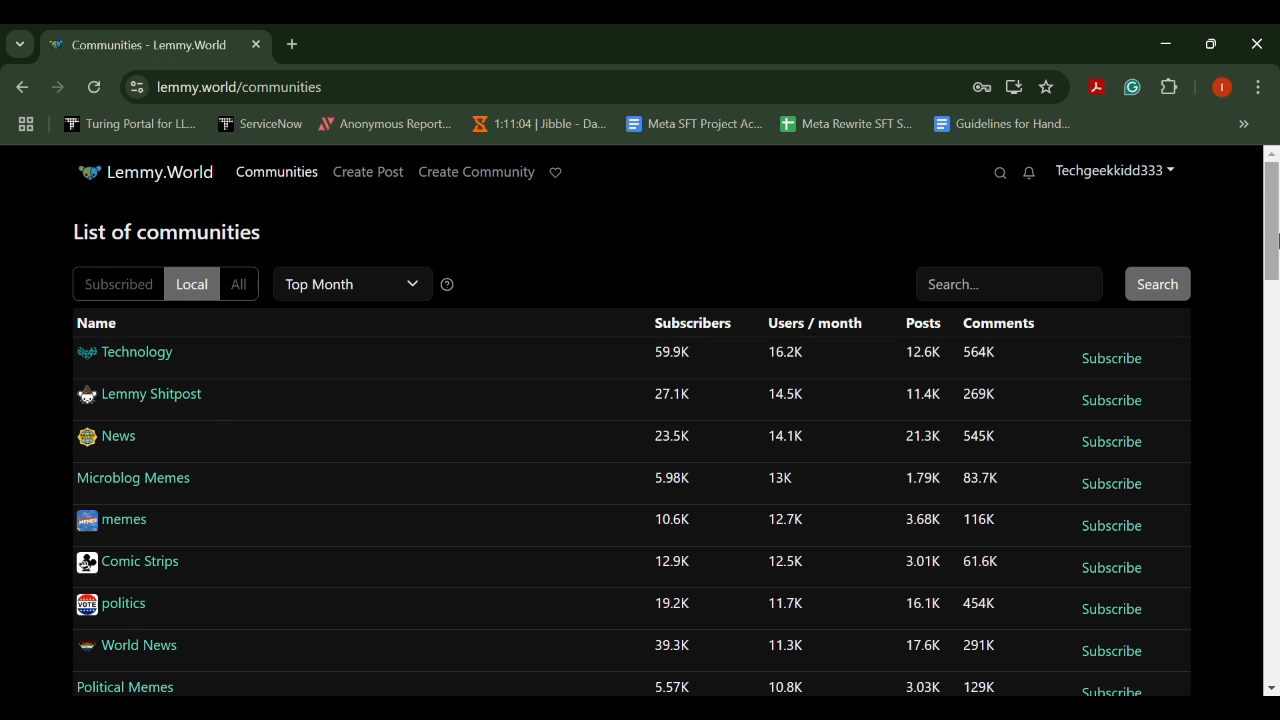 The height and width of the screenshot is (720, 1280). I want to click on Notifications, so click(1030, 174).